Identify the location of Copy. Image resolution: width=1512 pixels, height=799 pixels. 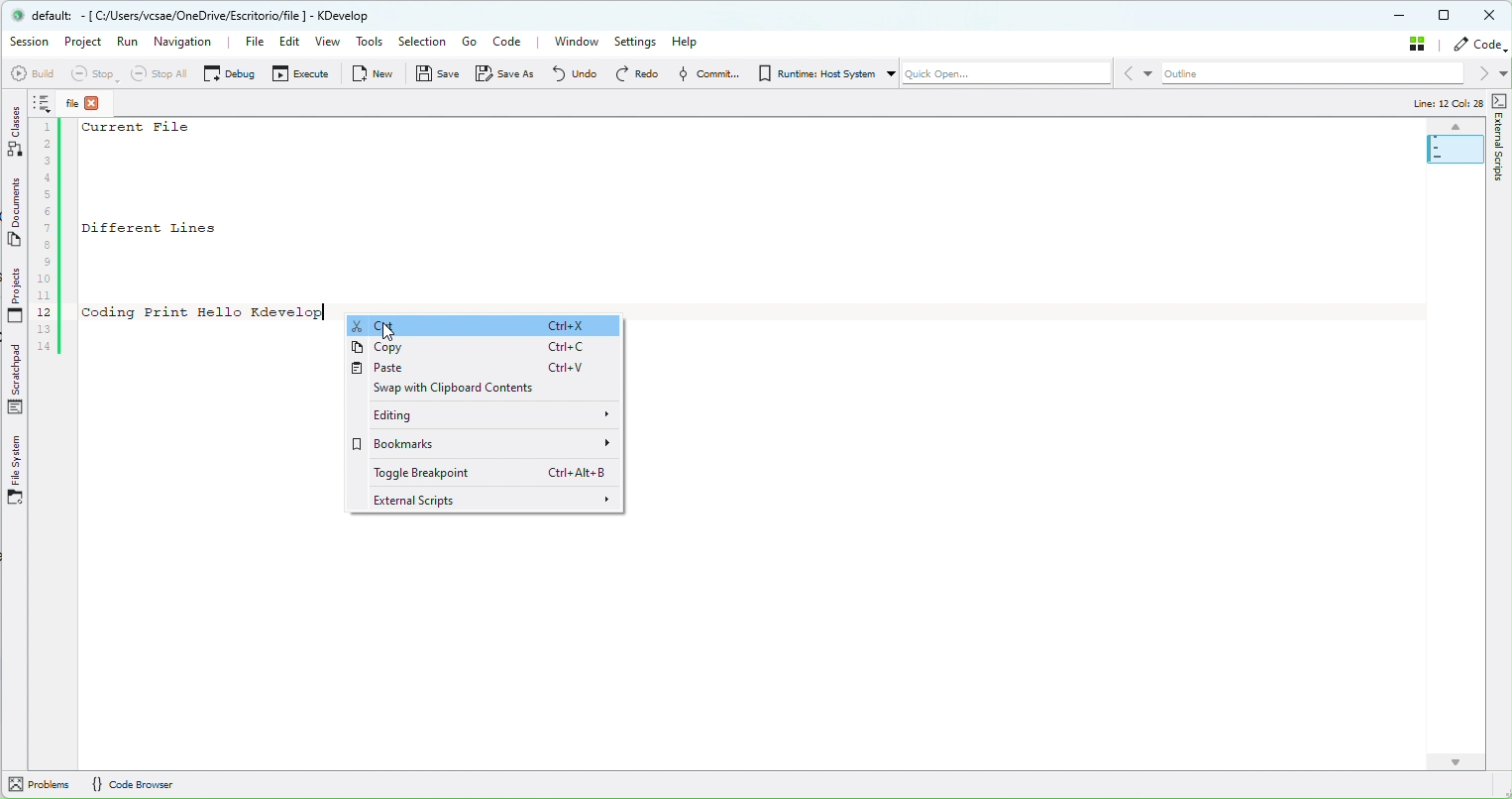
(486, 348).